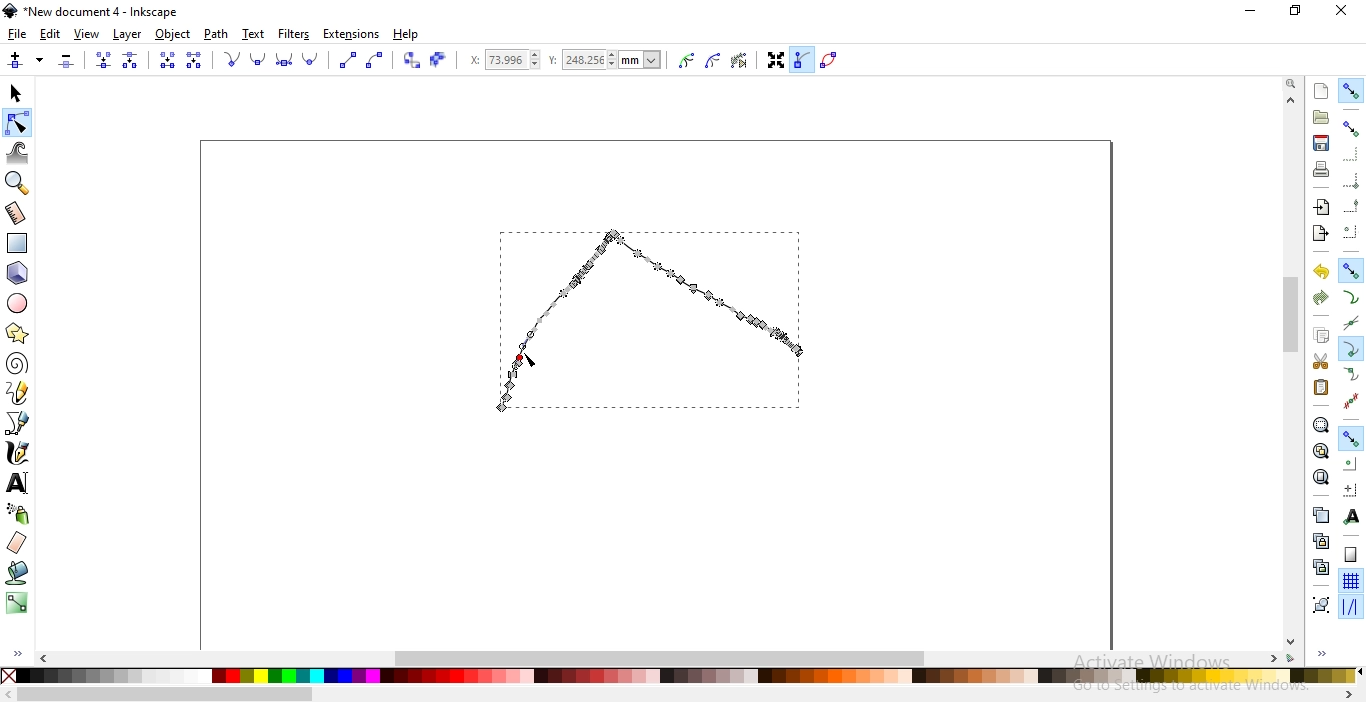 The height and width of the screenshot is (702, 1366). Describe the element at coordinates (50, 36) in the screenshot. I see `edit` at that location.